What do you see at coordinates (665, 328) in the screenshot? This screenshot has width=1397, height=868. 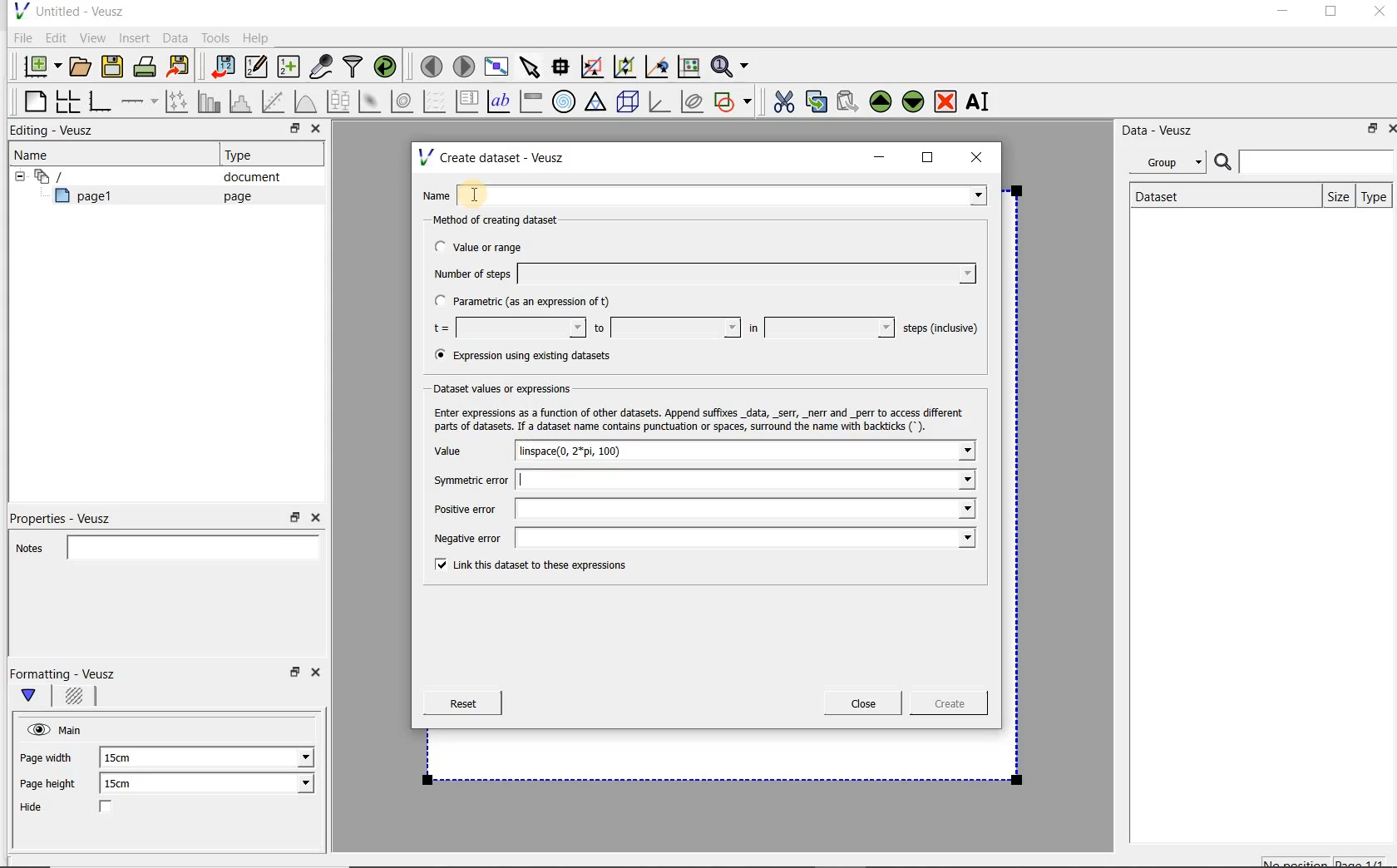 I see `to` at bounding box center [665, 328].